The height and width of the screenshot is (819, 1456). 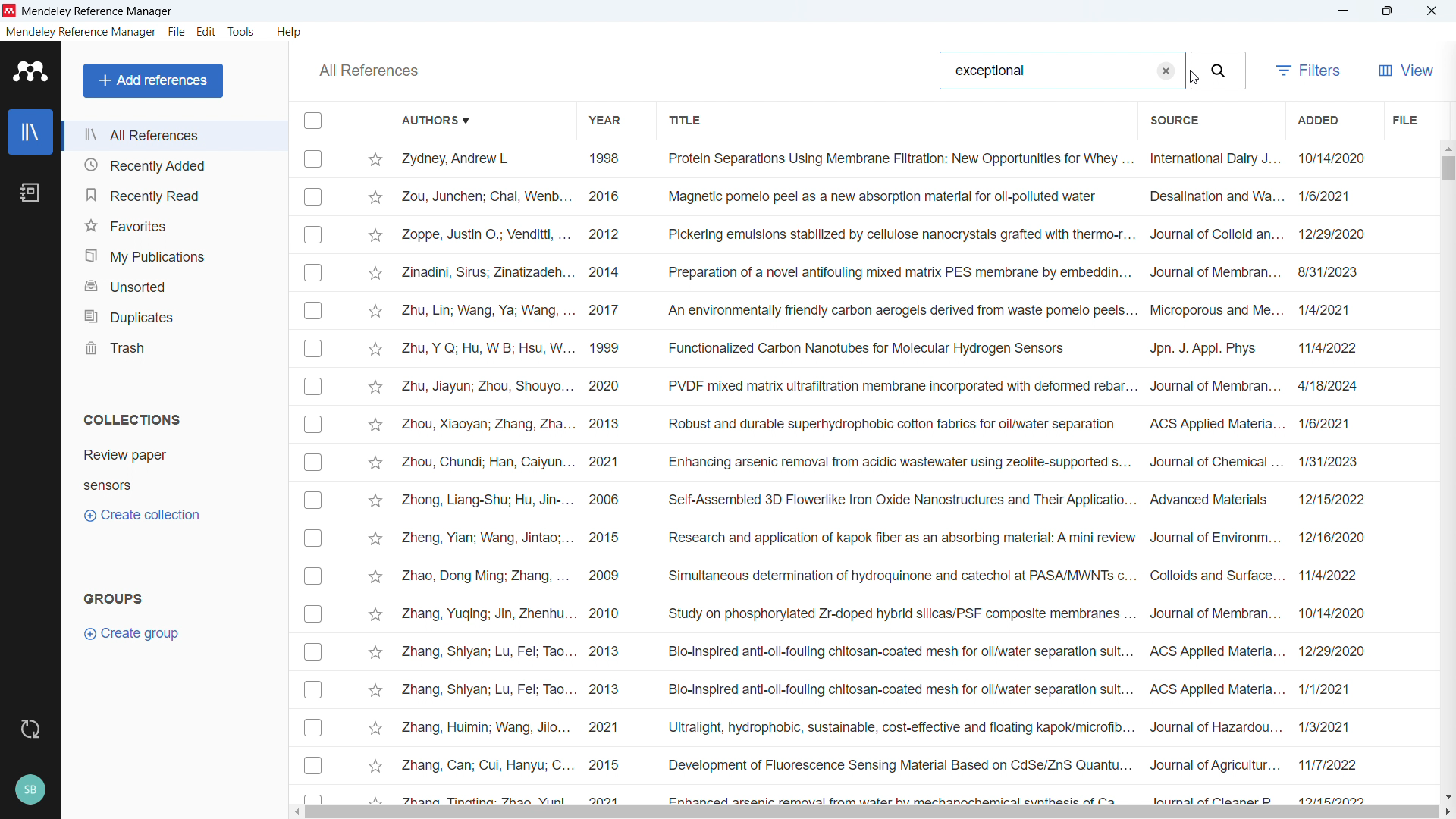 I want to click on cursor, so click(x=1192, y=79).